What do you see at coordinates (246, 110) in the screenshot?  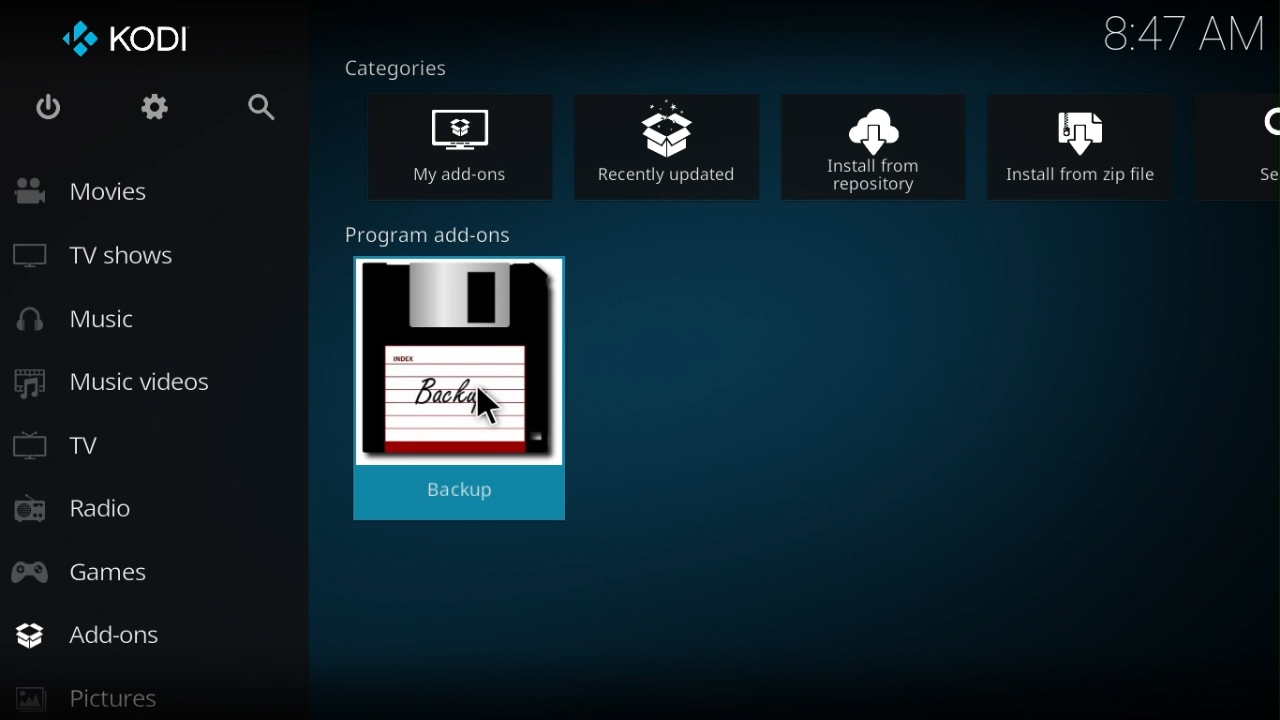 I see `Search` at bounding box center [246, 110].